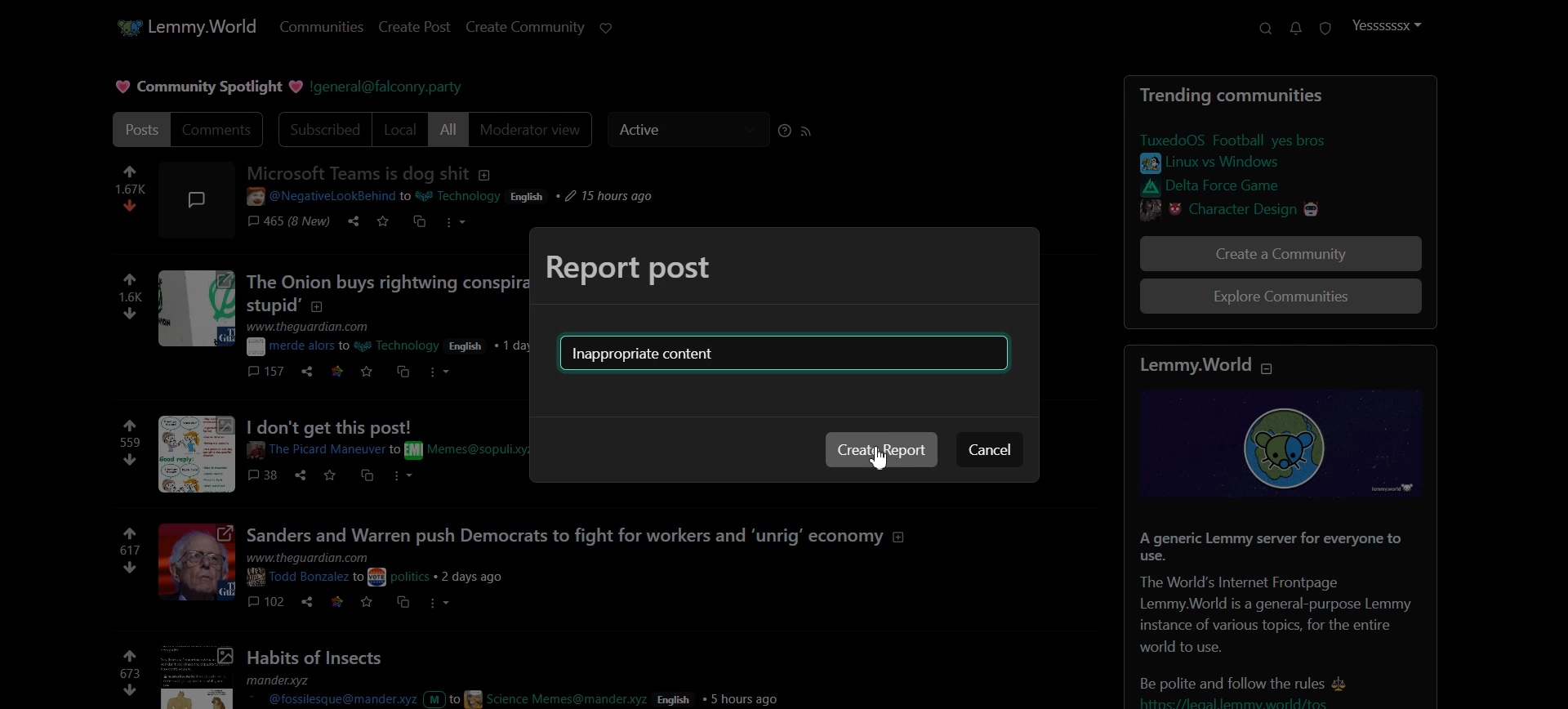 The image size is (1568, 709). Describe the element at coordinates (341, 372) in the screenshot. I see `link` at that location.